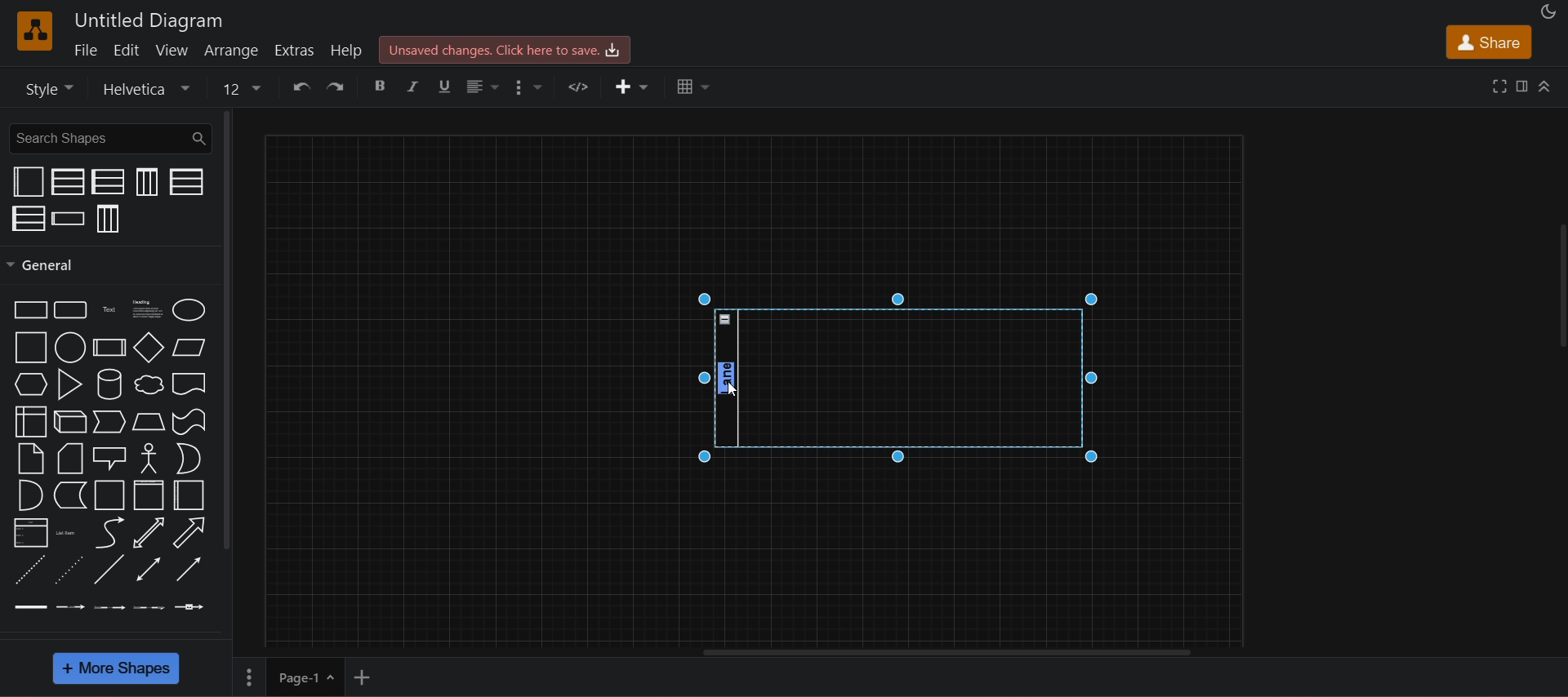  Describe the element at coordinates (1546, 11) in the screenshot. I see `appearance` at that location.